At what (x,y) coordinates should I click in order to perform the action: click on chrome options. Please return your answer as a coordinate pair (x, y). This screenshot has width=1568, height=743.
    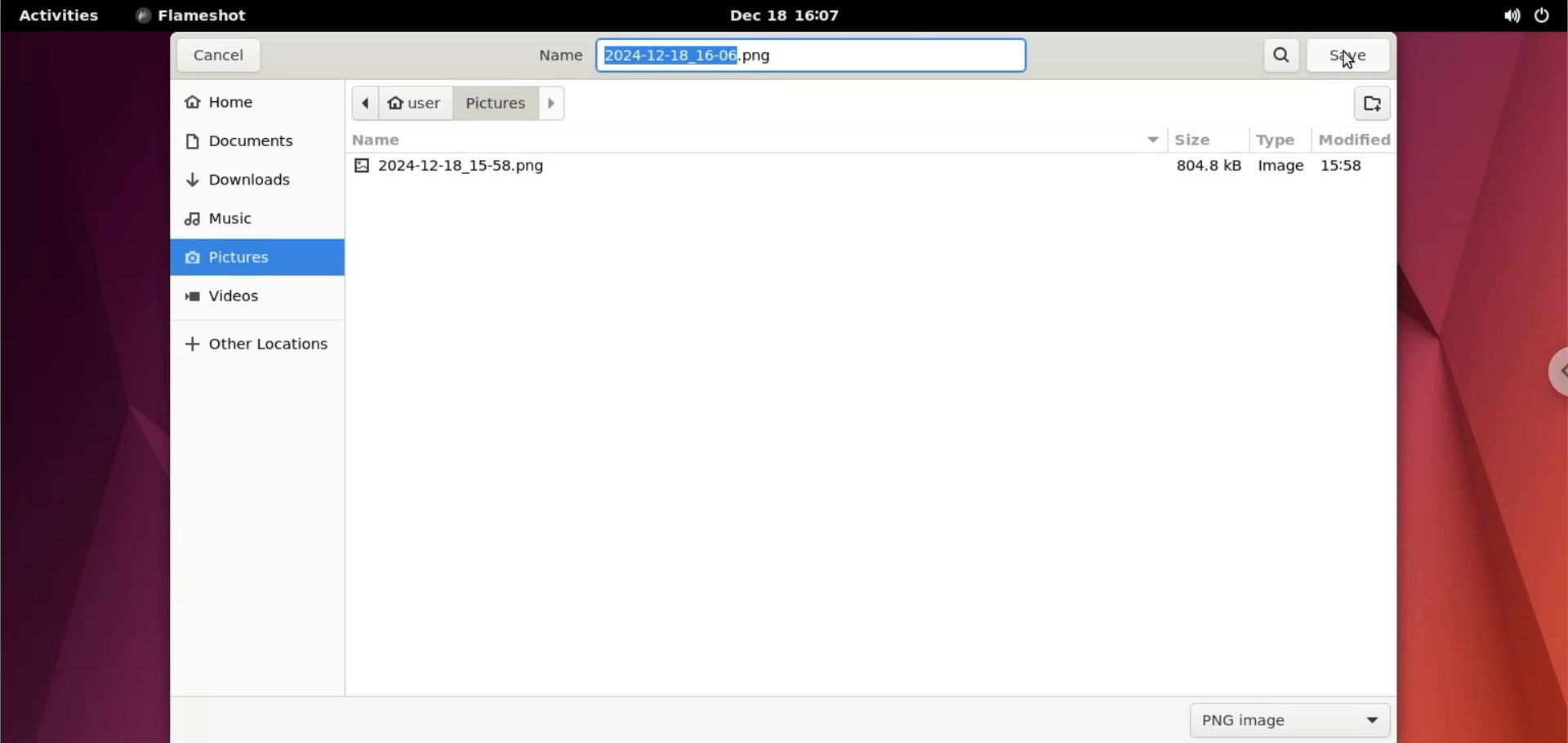
    Looking at the image, I should click on (1552, 376).